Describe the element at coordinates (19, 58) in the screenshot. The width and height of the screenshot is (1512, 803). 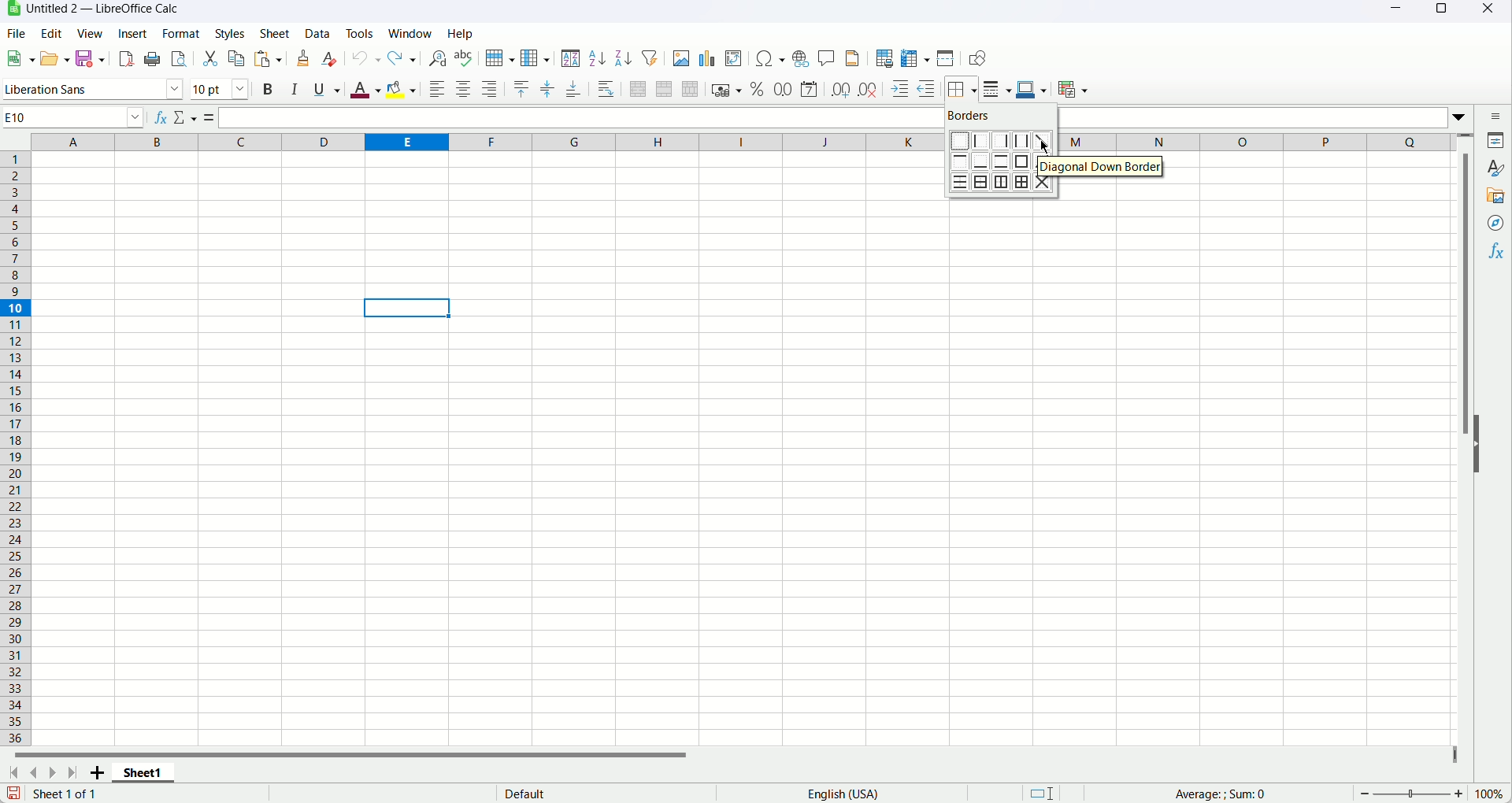
I see `New` at that location.